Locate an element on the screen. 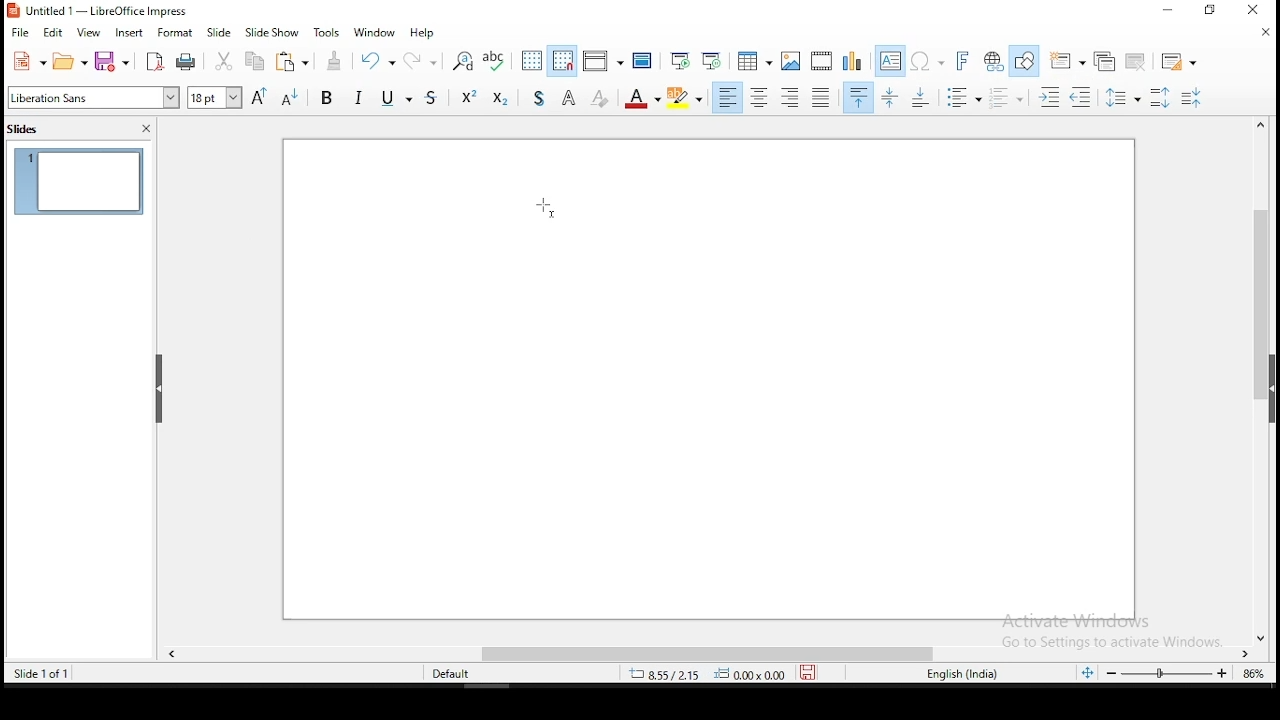 This screenshot has height=720, width=1280. center vertical is located at coordinates (892, 99).